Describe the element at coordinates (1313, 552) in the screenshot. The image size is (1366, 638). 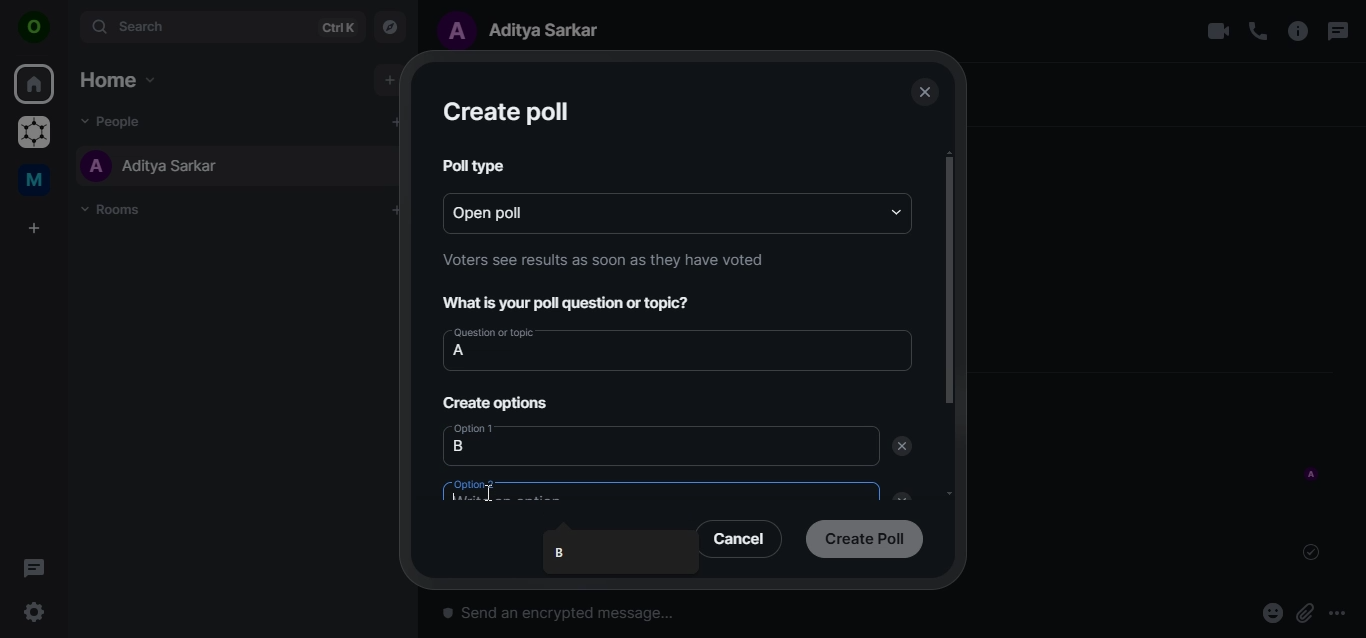
I see `message sent` at that location.